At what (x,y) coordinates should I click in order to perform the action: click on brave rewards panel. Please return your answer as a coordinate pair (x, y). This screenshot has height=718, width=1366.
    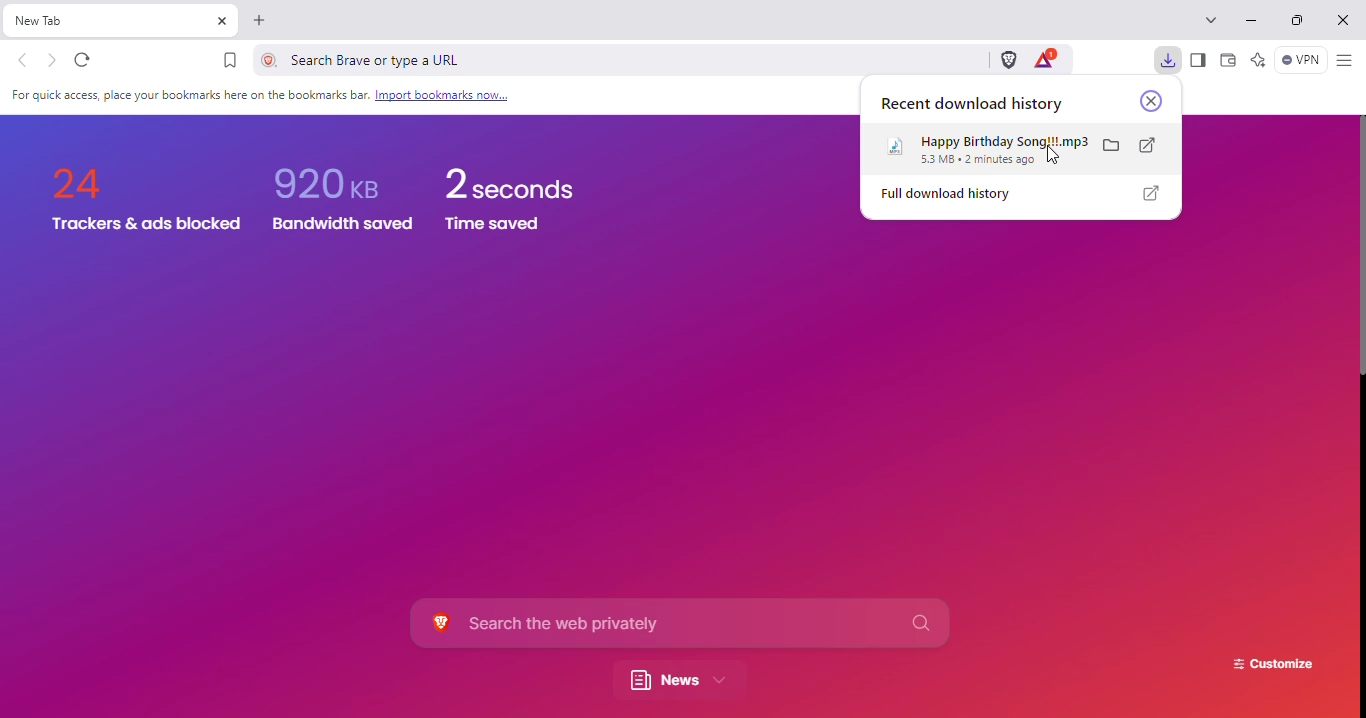
    Looking at the image, I should click on (1045, 59).